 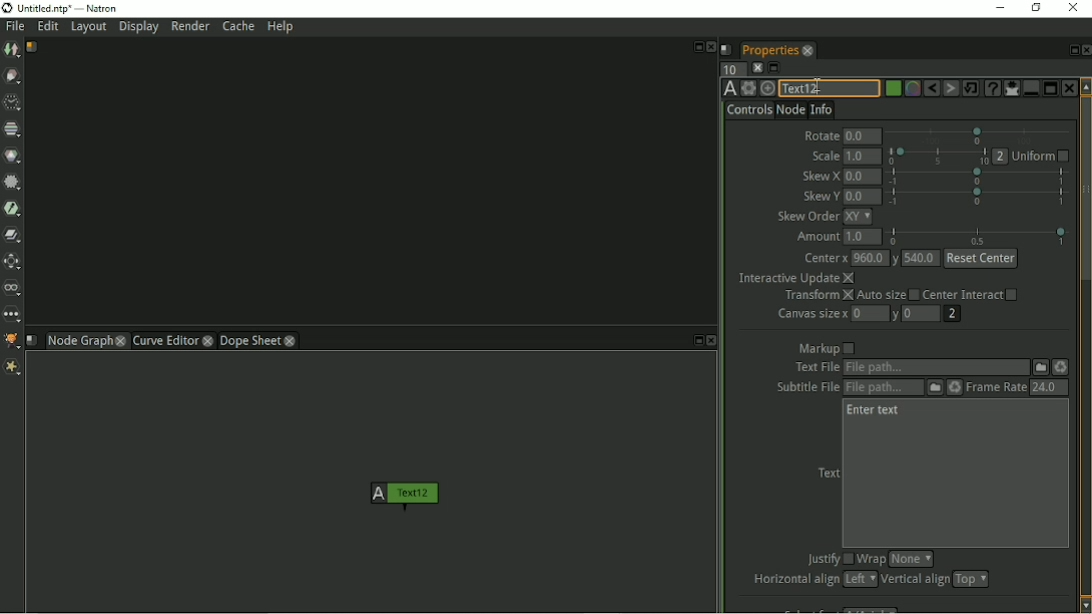 I want to click on Settings and presets, so click(x=748, y=88).